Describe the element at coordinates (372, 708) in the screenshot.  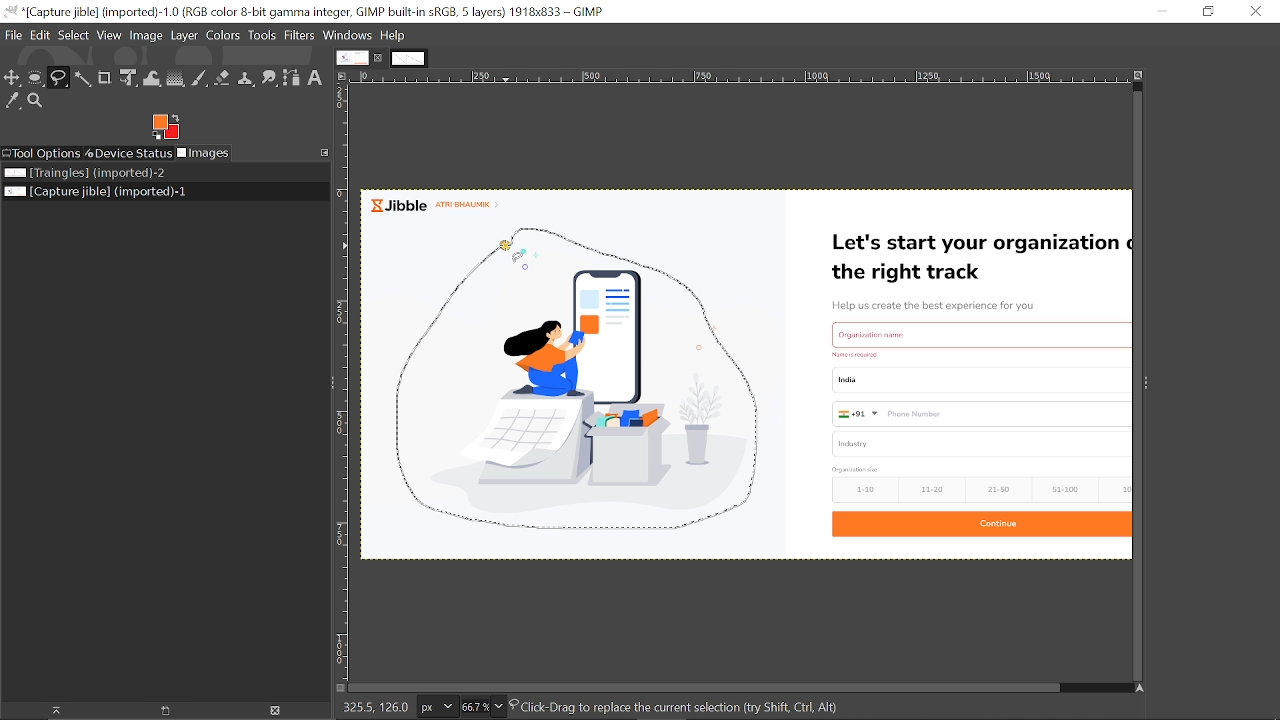
I see `coordinates` at that location.